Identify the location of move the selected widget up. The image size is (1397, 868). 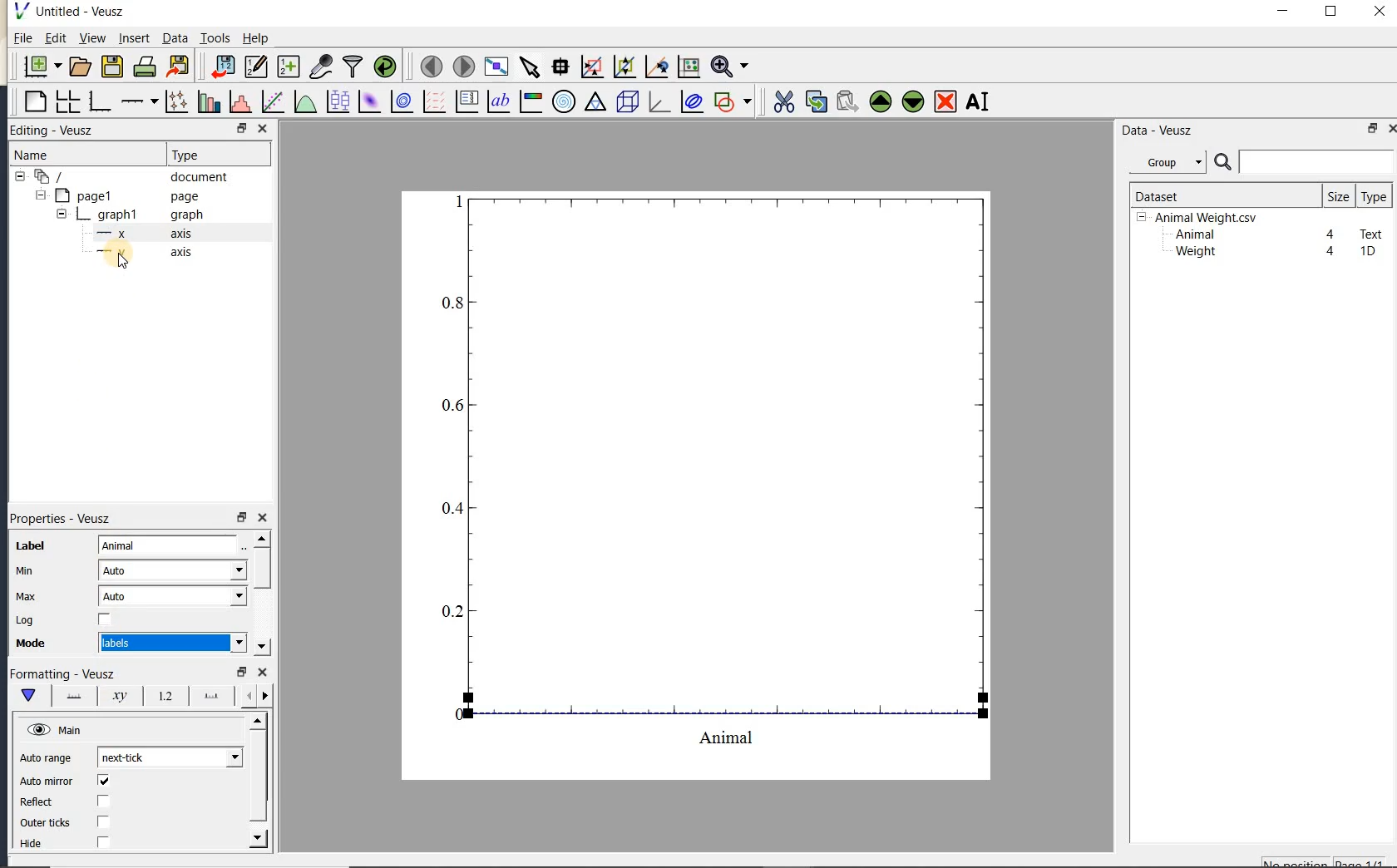
(881, 102).